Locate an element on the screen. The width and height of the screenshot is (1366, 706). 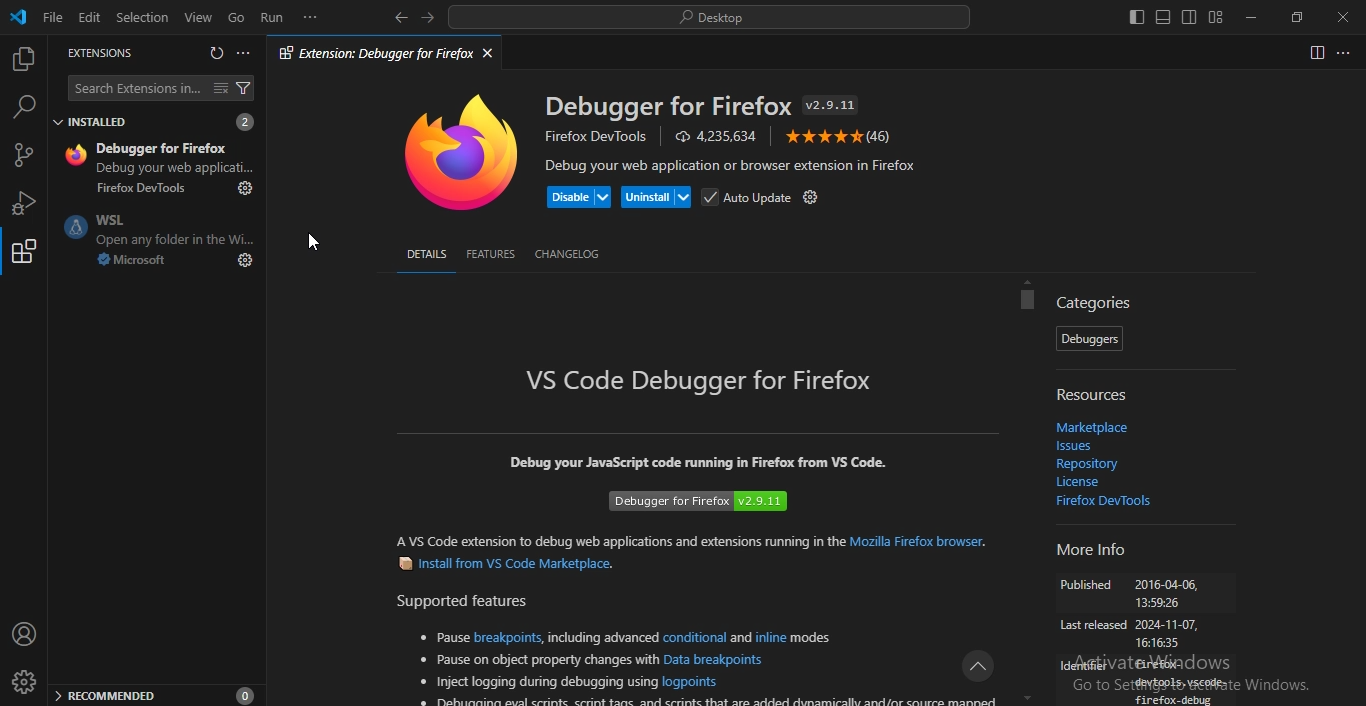
disable is located at coordinates (580, 197).